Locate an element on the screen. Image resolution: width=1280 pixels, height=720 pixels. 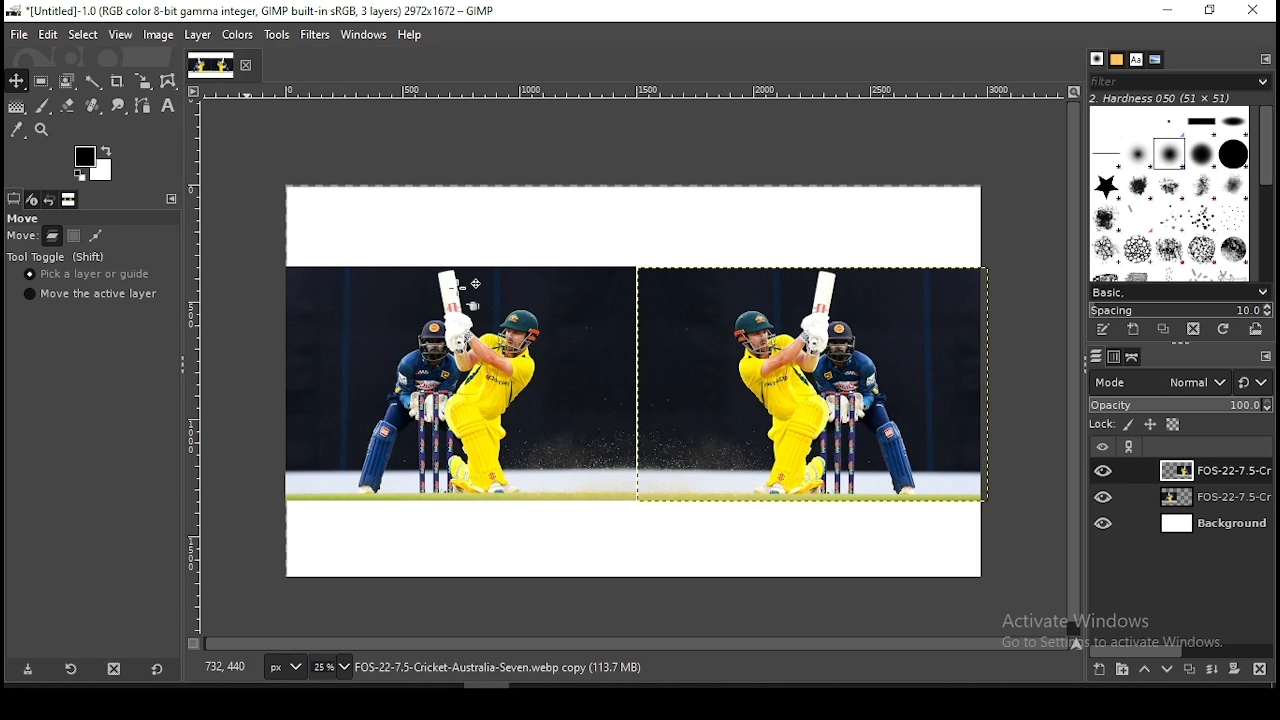
lock is located at coordinates (1100, 425).